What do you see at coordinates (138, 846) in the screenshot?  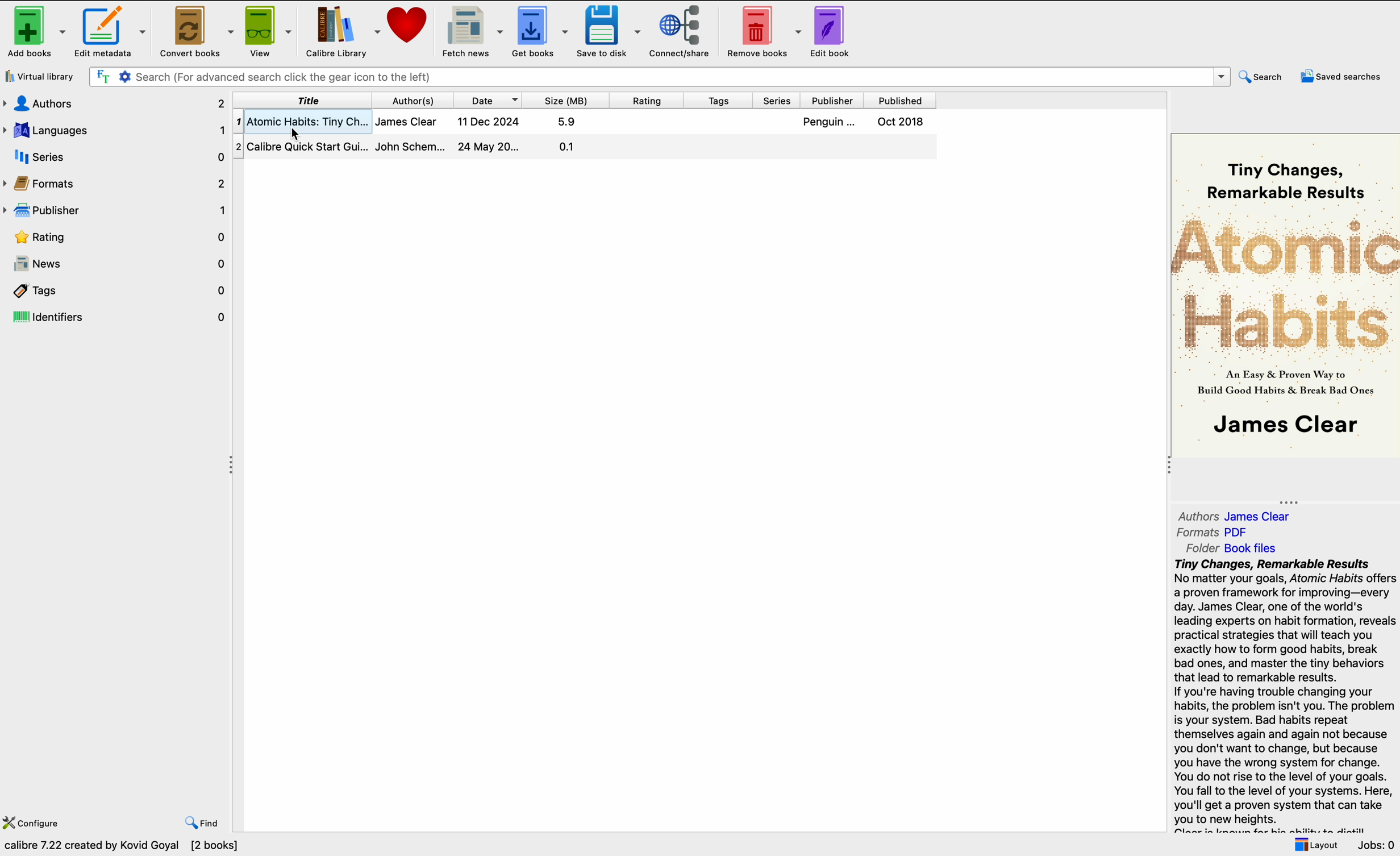 I see `data` at bounding box center [138, 846].